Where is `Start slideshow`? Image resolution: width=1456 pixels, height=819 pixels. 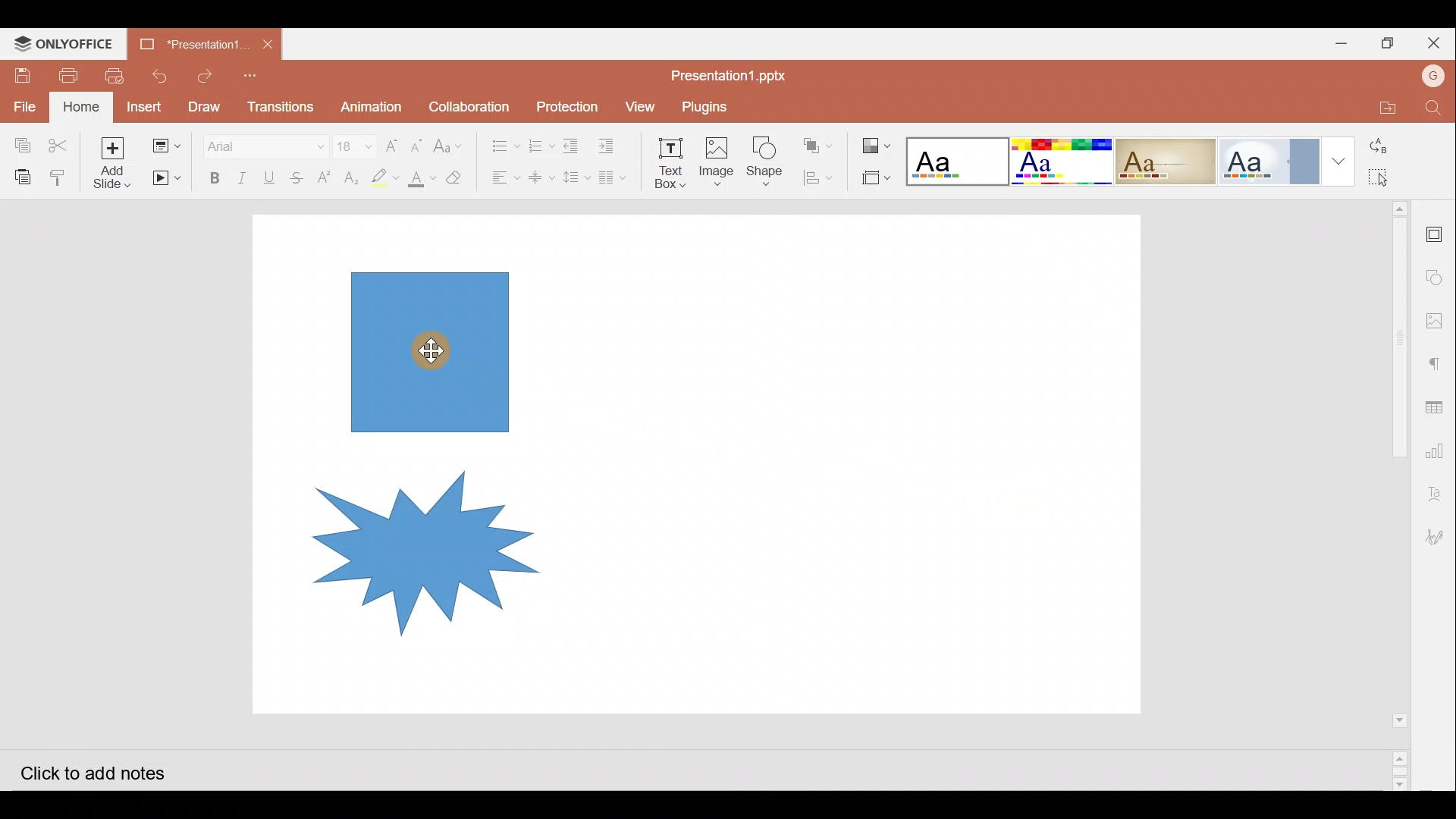 Start slideshow is located at coordinates (165, 178).